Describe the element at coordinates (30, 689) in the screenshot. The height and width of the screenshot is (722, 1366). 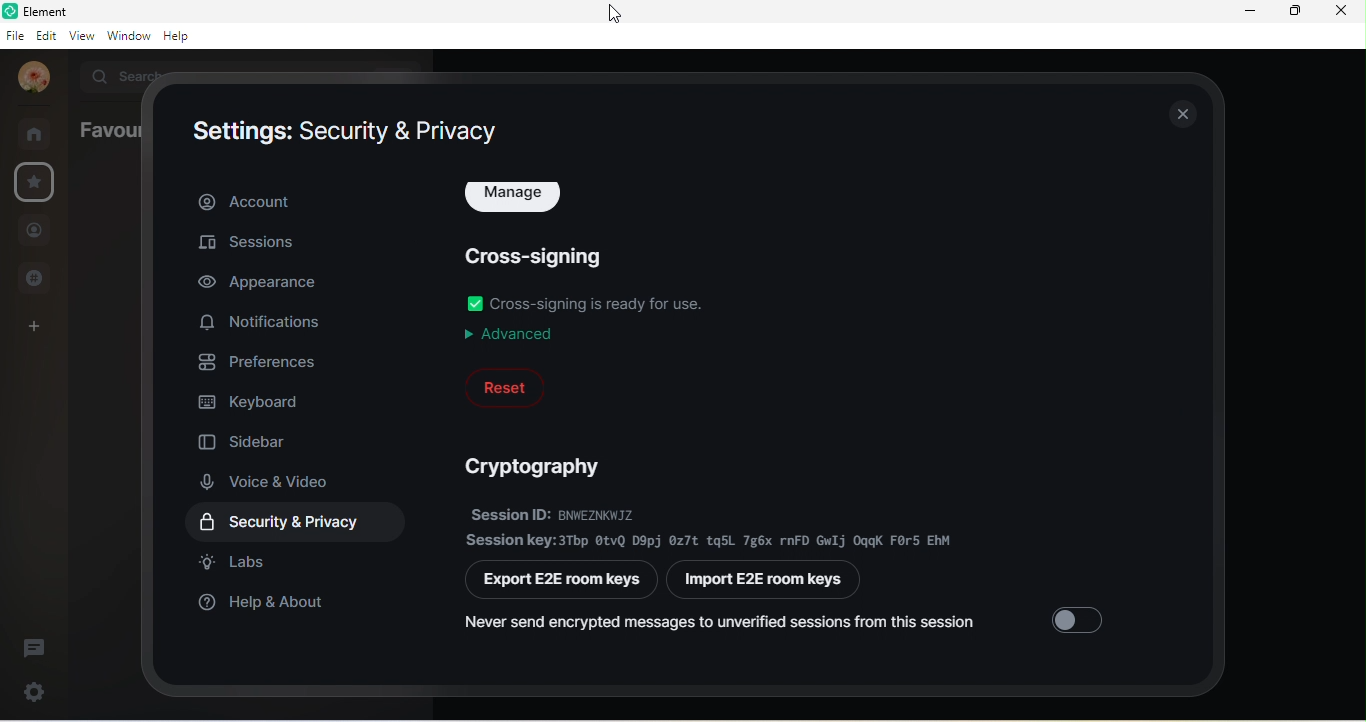
I see `quick settings` at that location.